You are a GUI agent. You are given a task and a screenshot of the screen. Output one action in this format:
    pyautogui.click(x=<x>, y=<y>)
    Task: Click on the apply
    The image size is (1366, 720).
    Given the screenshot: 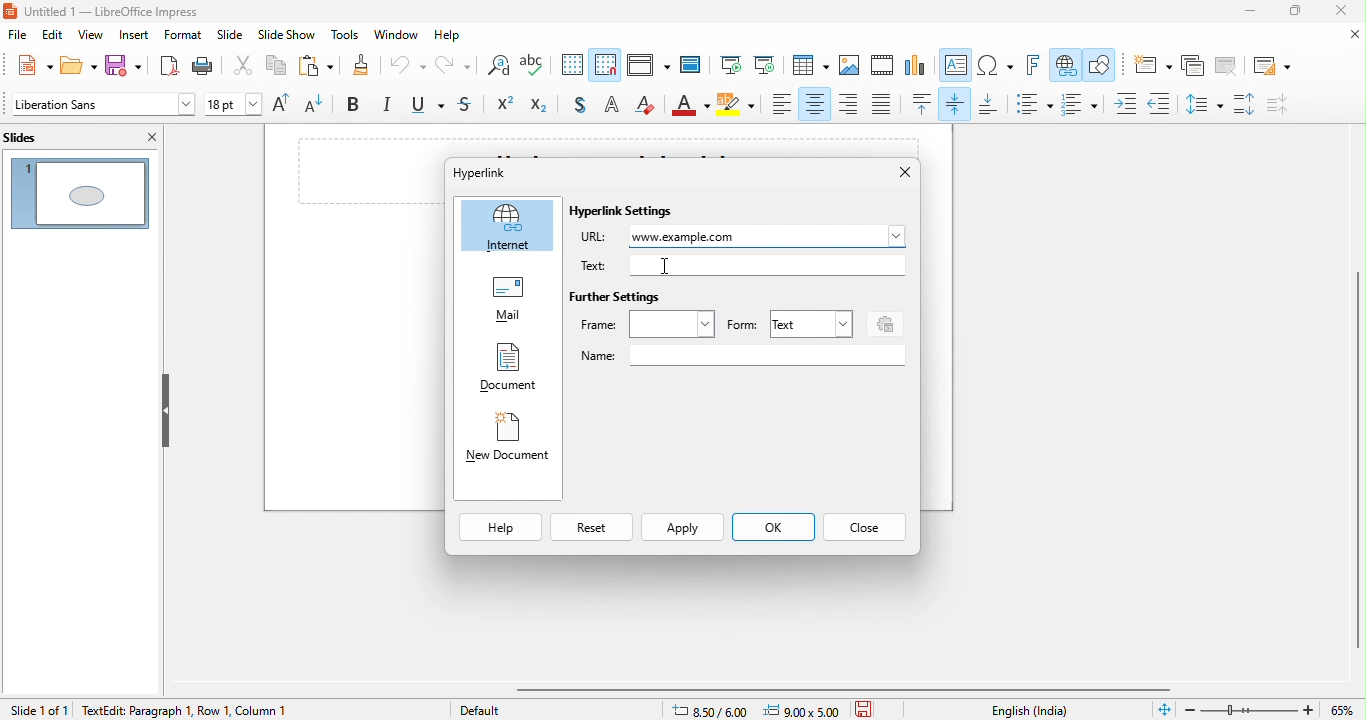 What is the action you would take?
    pyautogui.click(x=683, y=529)
    